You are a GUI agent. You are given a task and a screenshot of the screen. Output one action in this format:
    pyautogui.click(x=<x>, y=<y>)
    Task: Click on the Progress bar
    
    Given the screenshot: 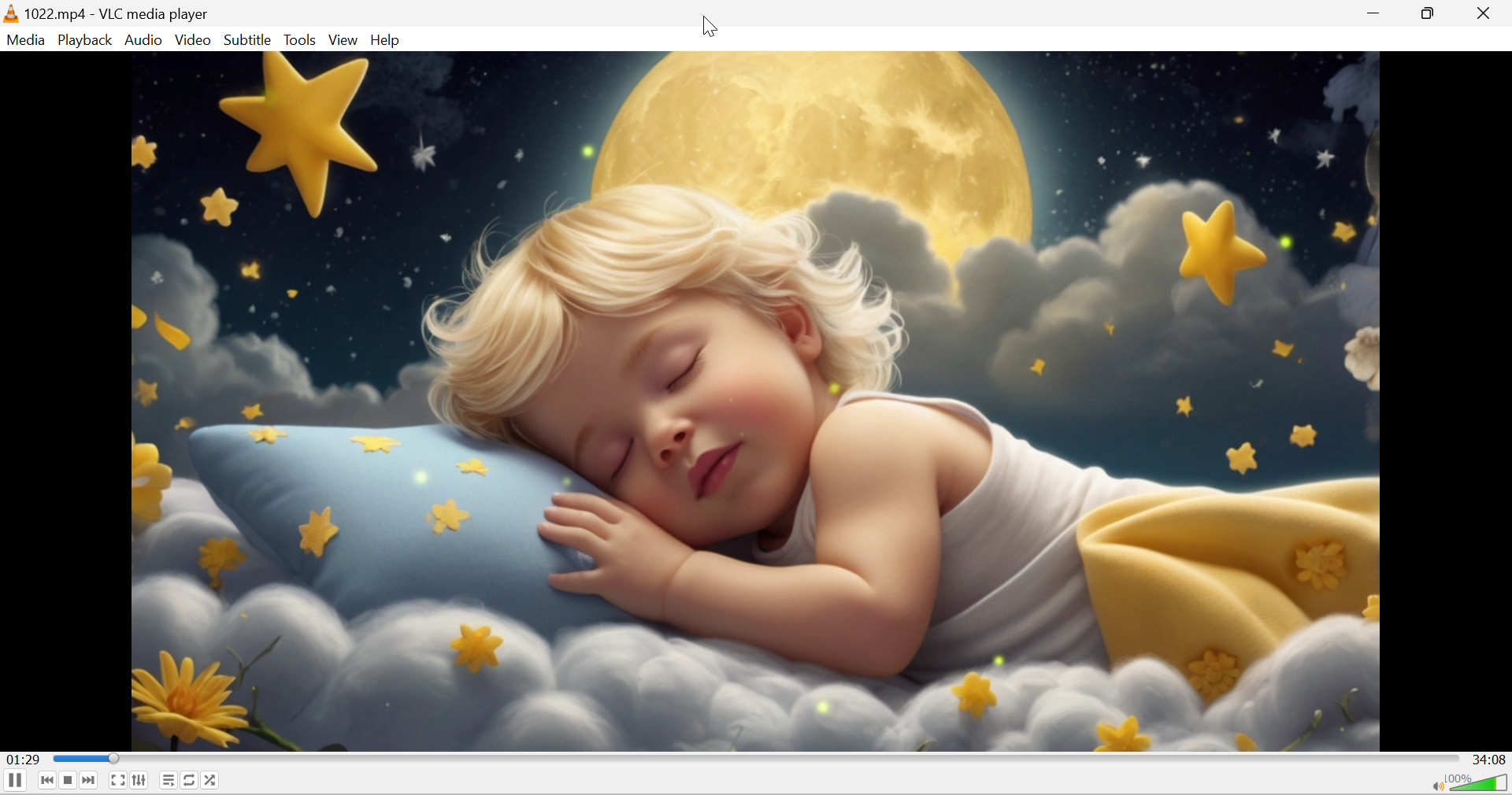 What is the action you would take?
    pyautogui.click(x=756, y=756)
    